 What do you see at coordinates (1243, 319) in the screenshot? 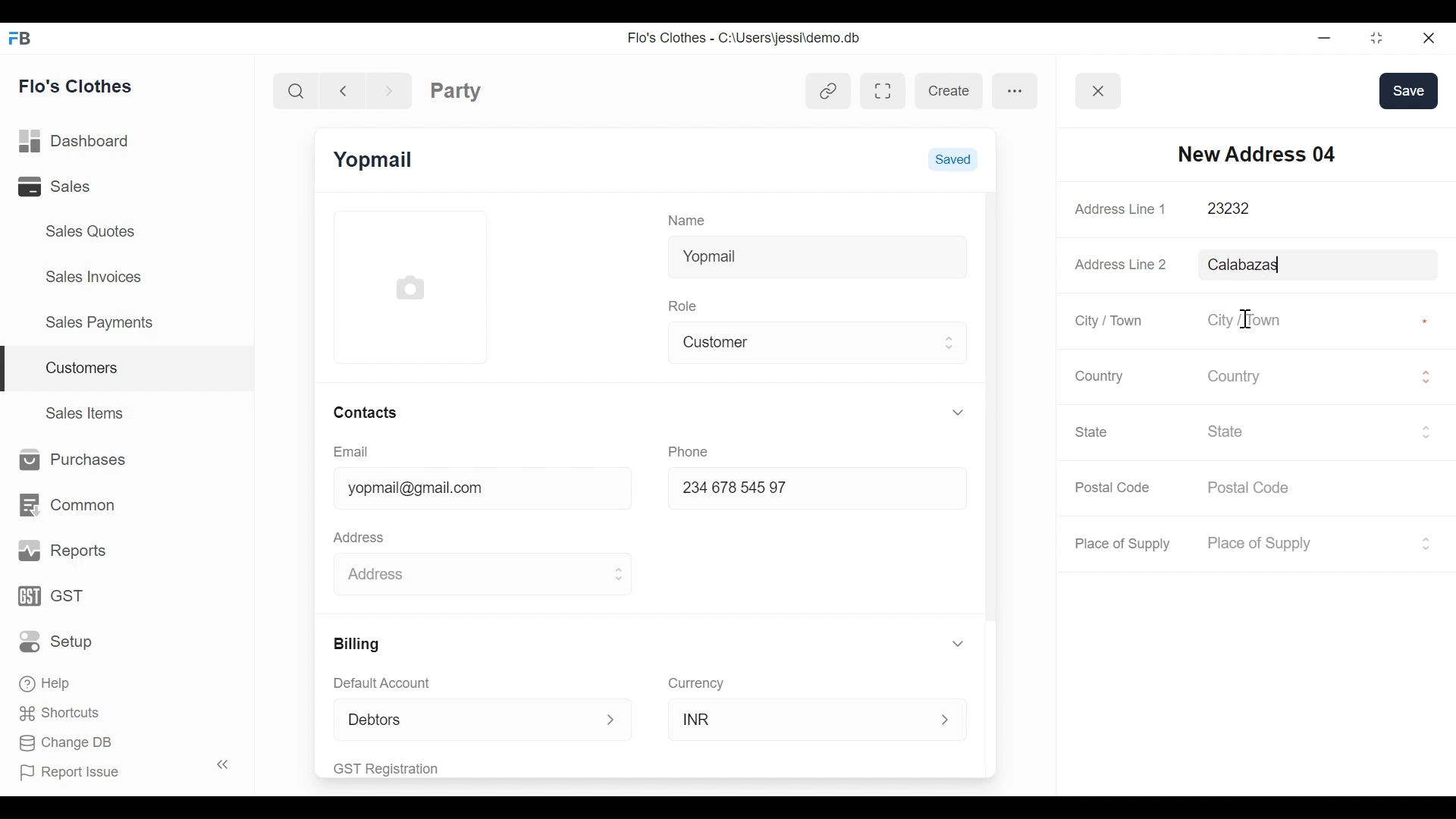
I see `text cursor` at bounding box center [1243, 319].